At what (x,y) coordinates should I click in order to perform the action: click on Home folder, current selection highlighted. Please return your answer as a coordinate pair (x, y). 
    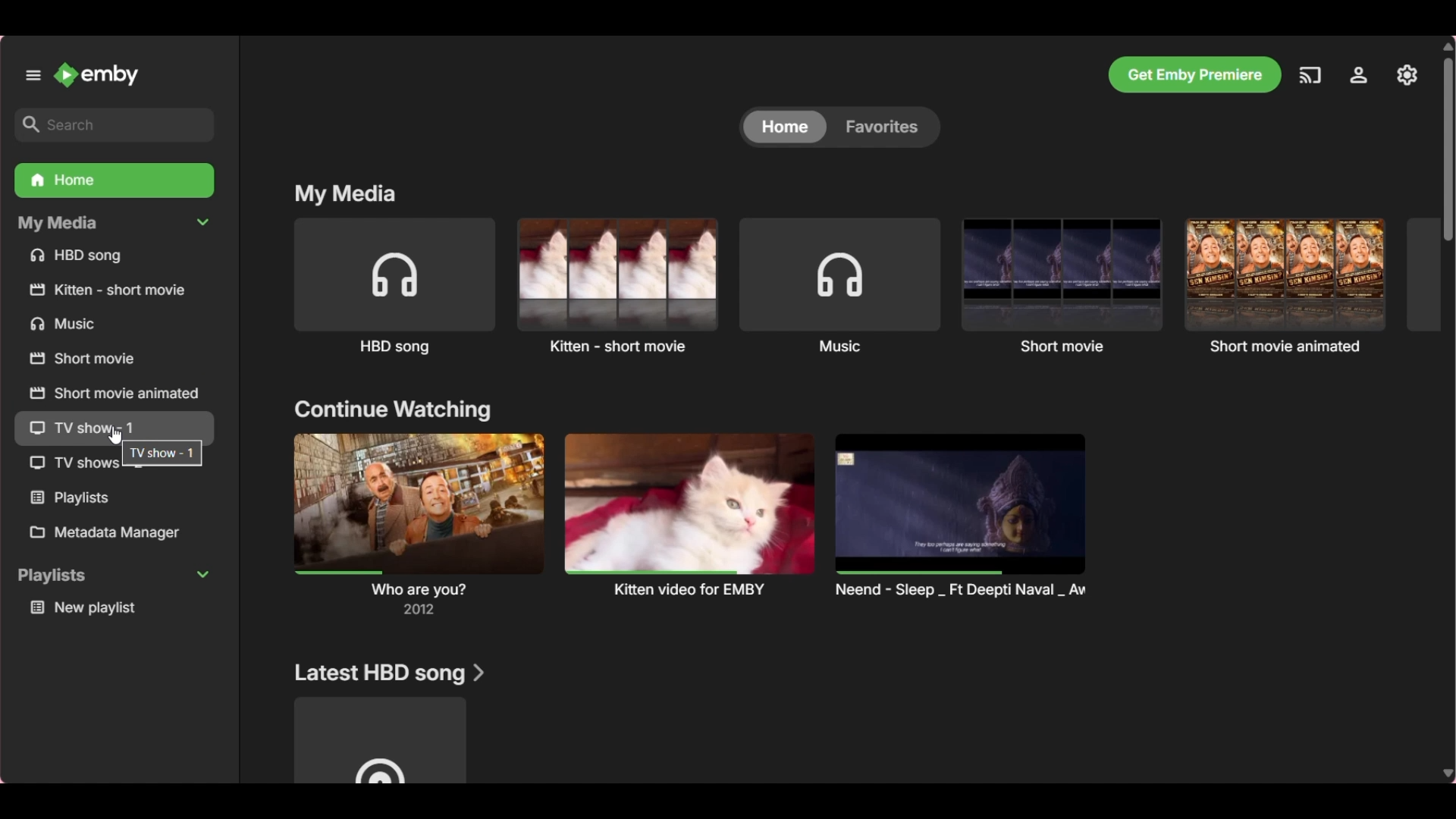
    Looking at the image, I should click on (114, 180).